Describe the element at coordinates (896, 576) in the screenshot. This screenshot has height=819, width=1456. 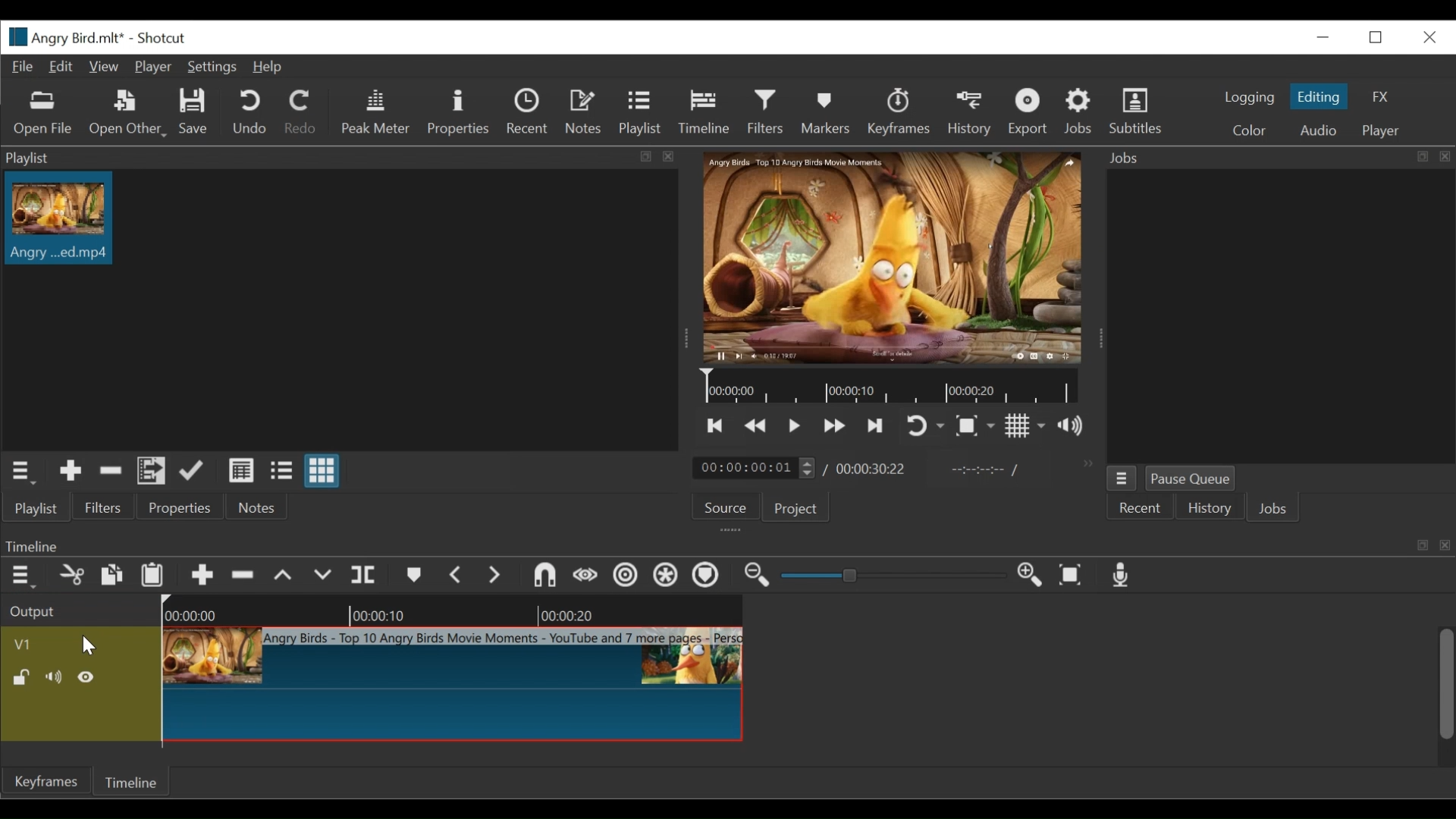
I see `Zoom Slider` at that location.